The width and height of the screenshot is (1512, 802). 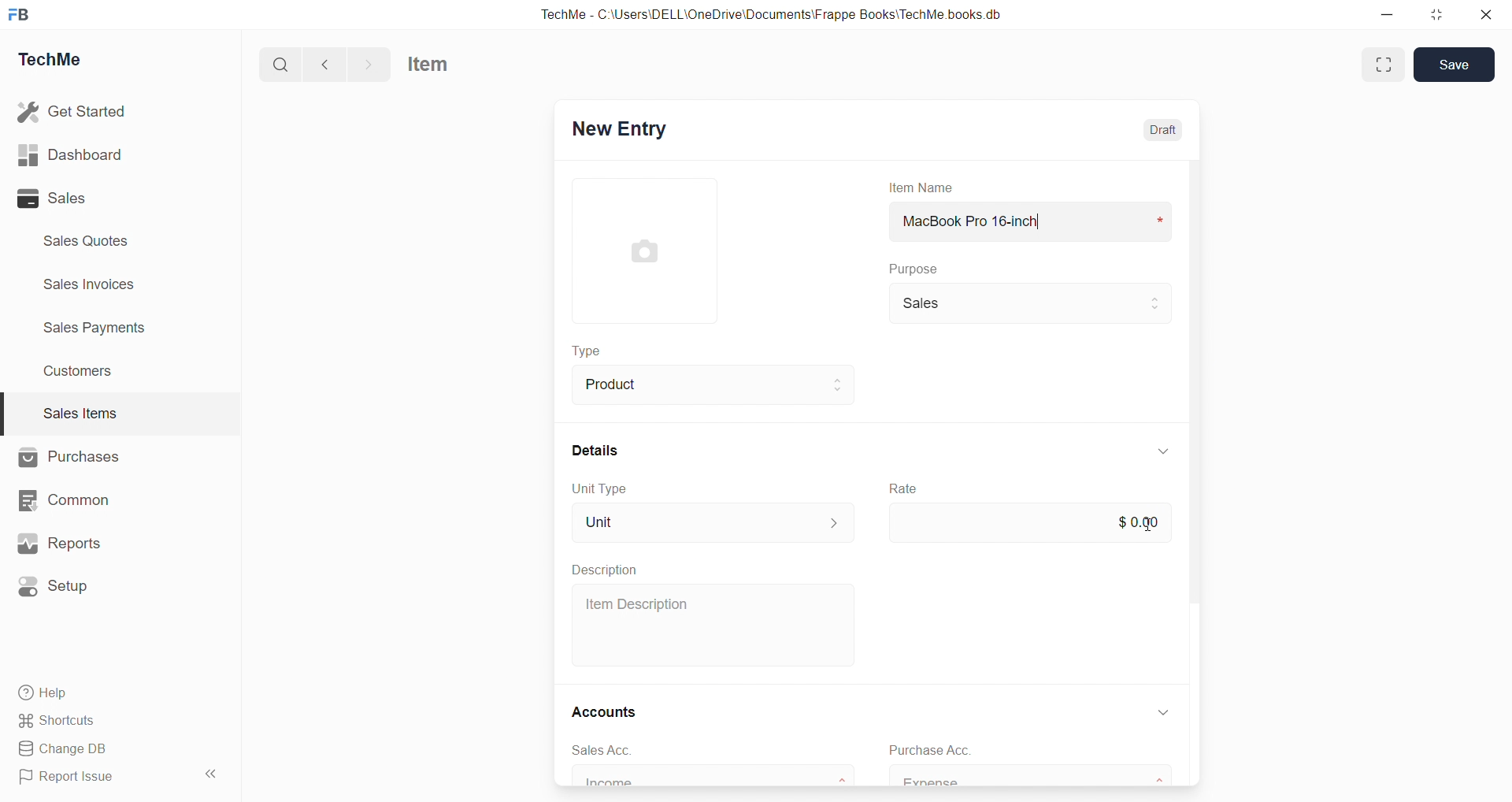 What do you see at coordinates (595, 451) in the screenshot?
I see `Details` at bounding box center [595, 451].